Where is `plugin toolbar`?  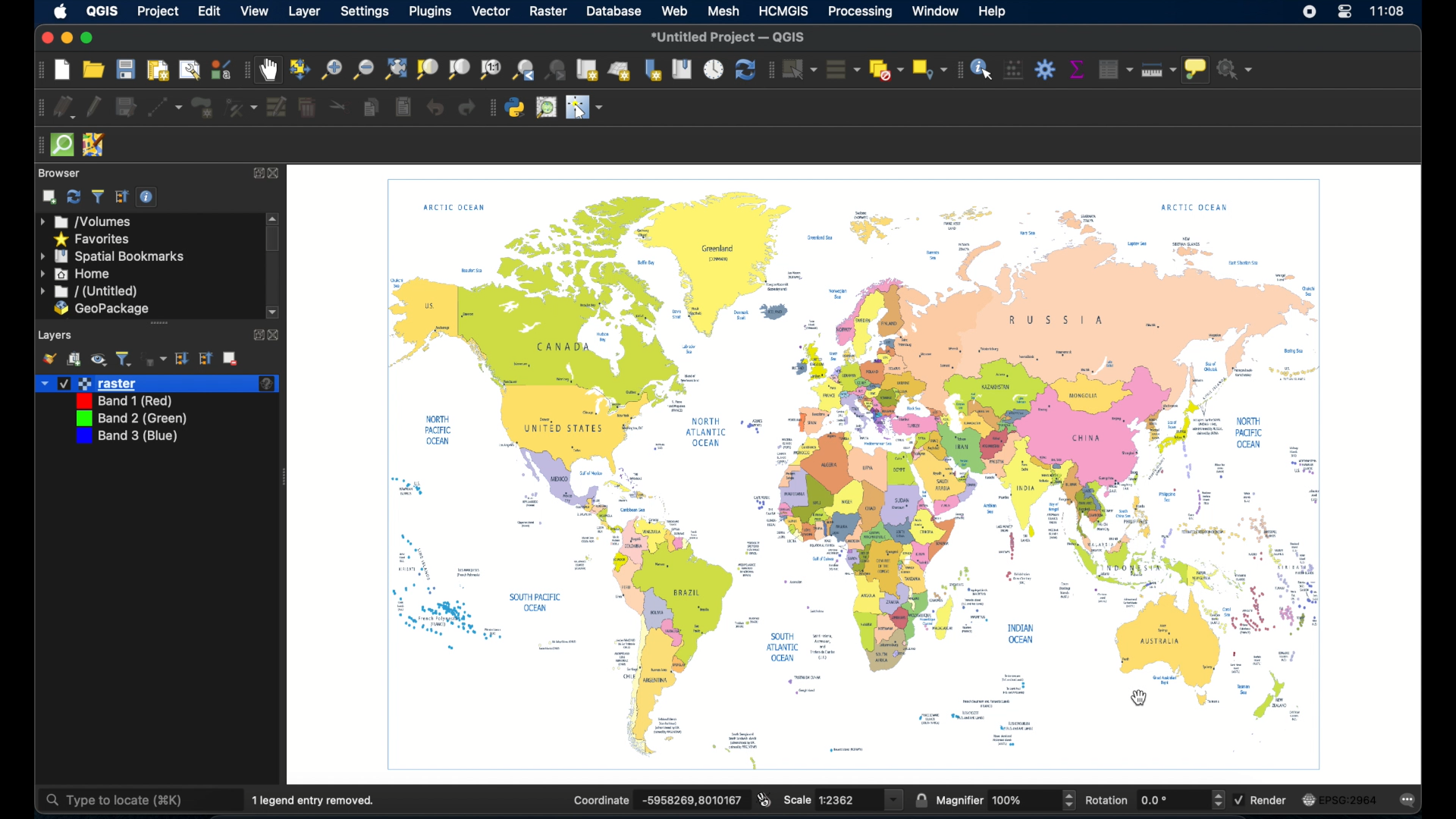 plugin toolbar is located at coordinates (491, 108).